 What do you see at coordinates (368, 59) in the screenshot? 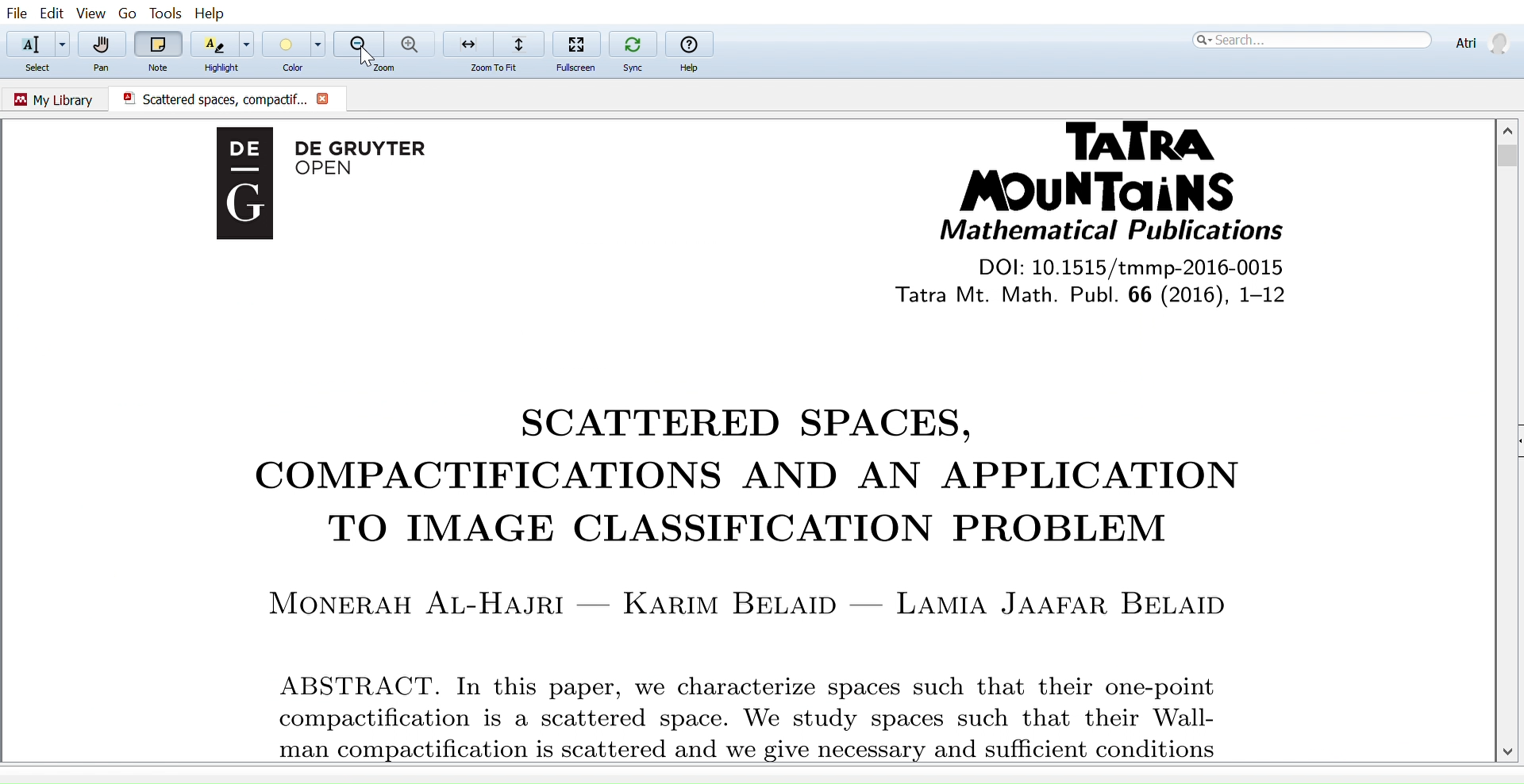
I see `cursor` at bounding box center [368, 59].